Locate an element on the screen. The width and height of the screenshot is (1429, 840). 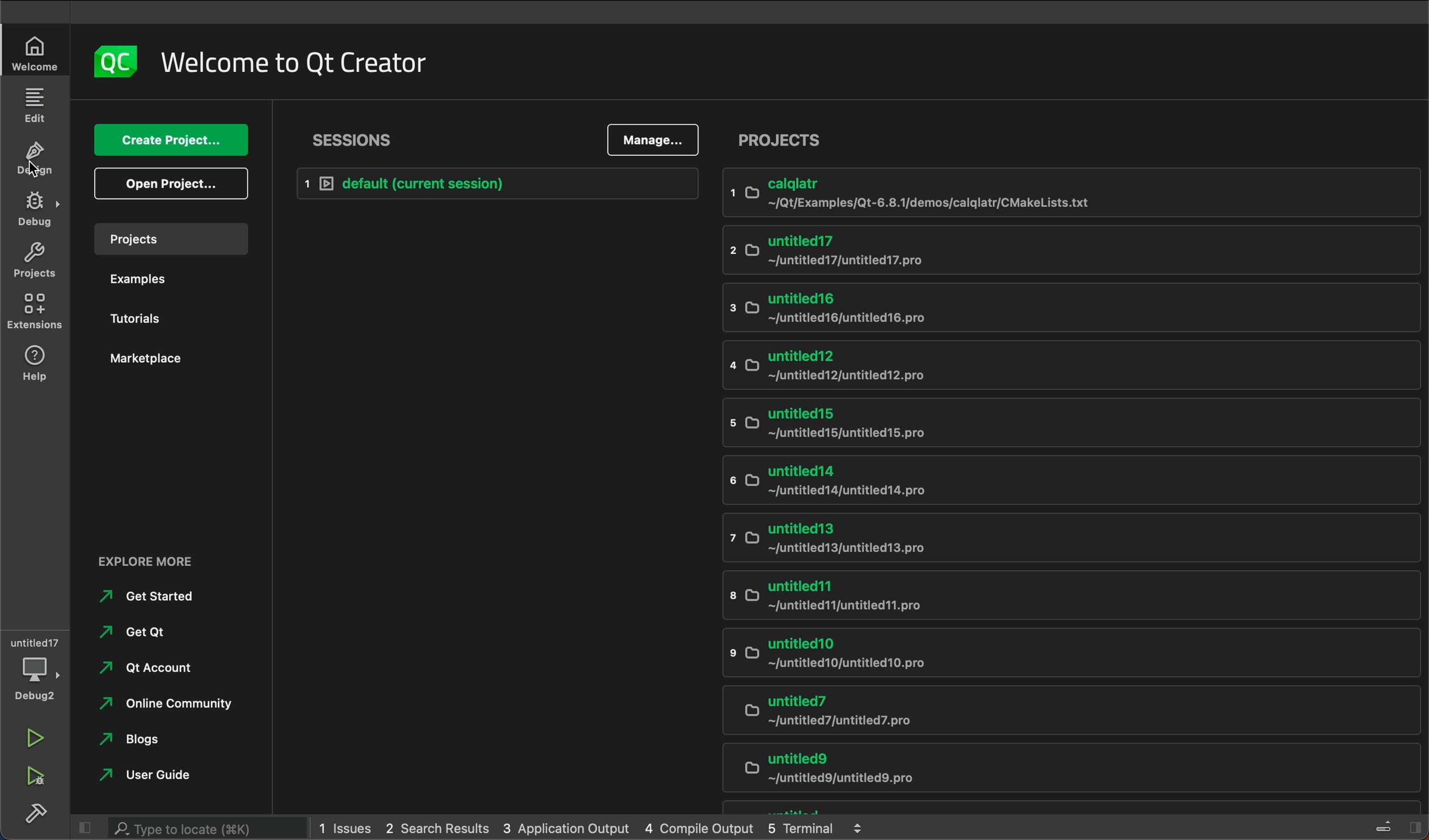
external links is located at coordinates (171, 562).